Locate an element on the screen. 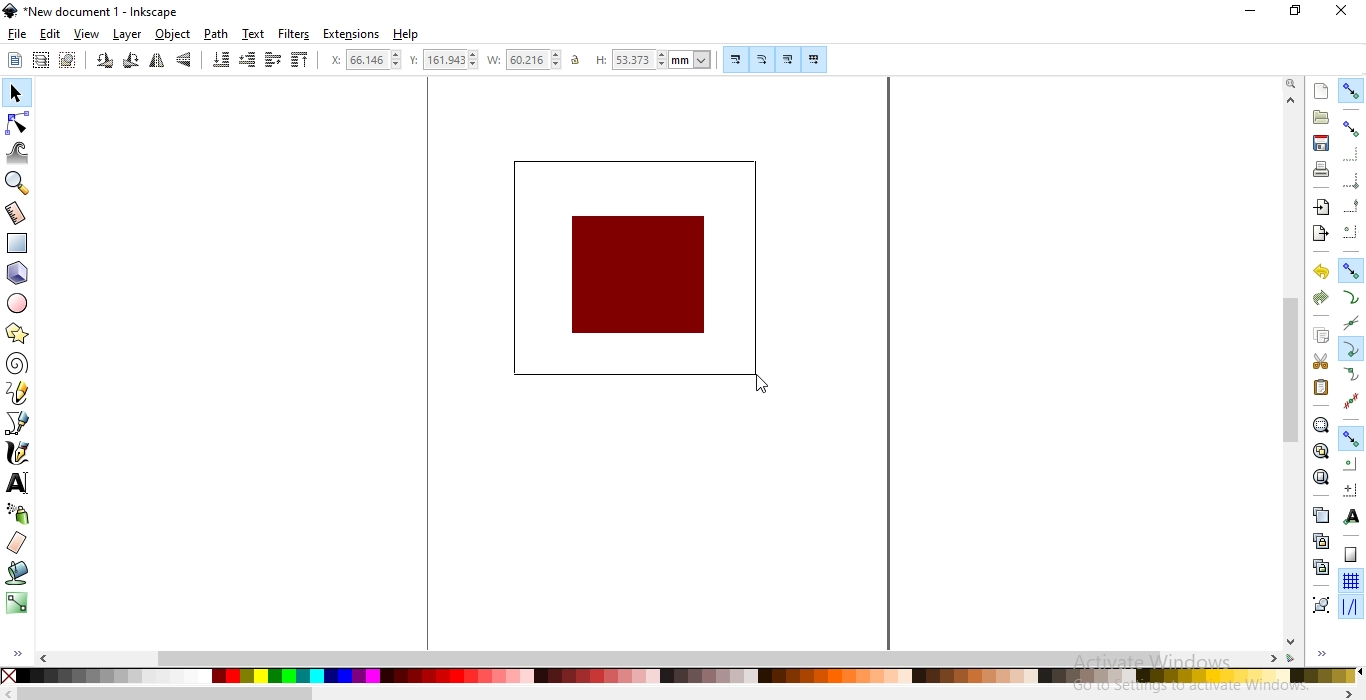 The height and width of the screenshot is (700, 1366). snap centers to objects is located at coordinates (1350, 464).